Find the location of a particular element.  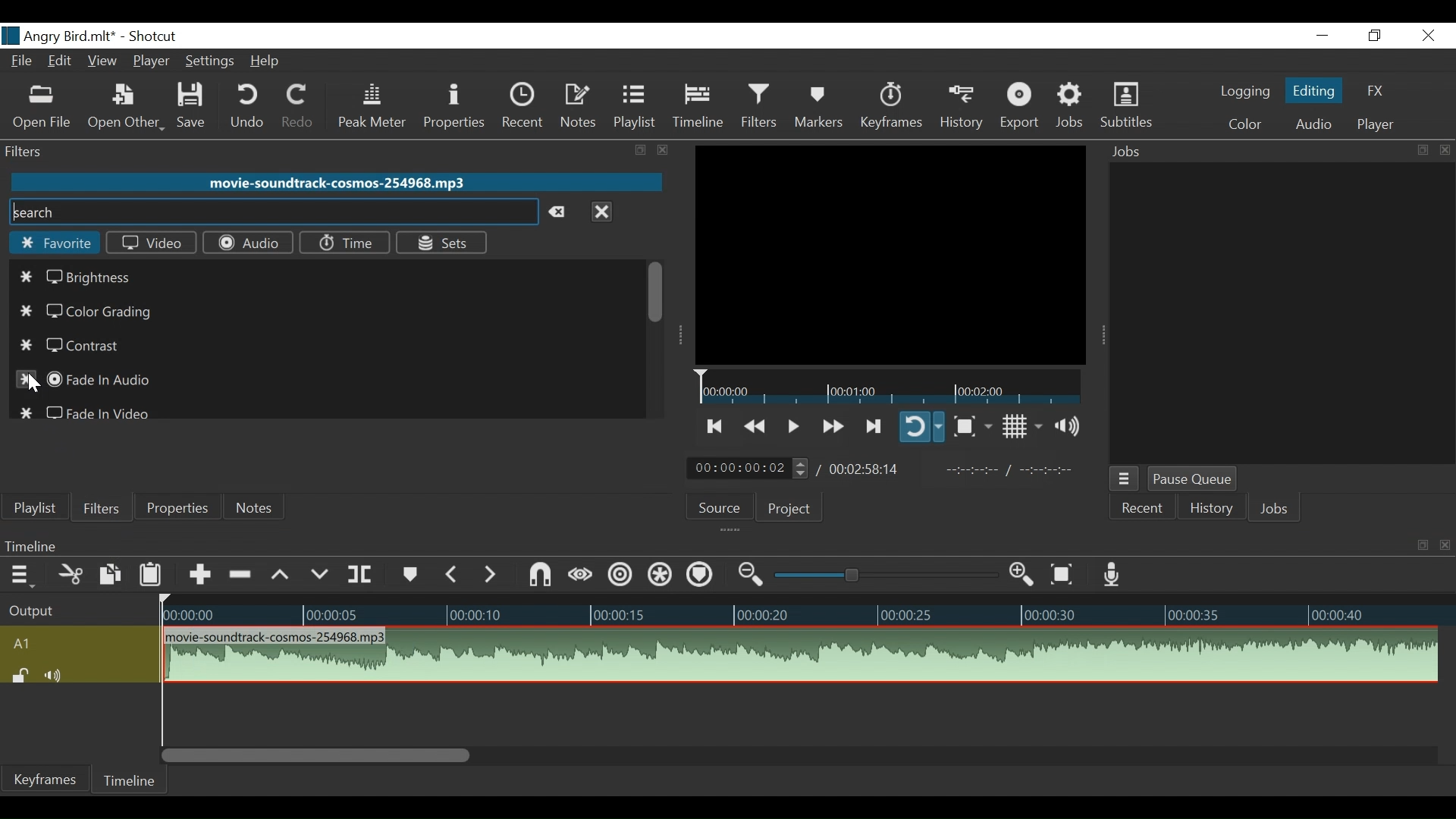

Shotcut is located at coordinates (154, 37).